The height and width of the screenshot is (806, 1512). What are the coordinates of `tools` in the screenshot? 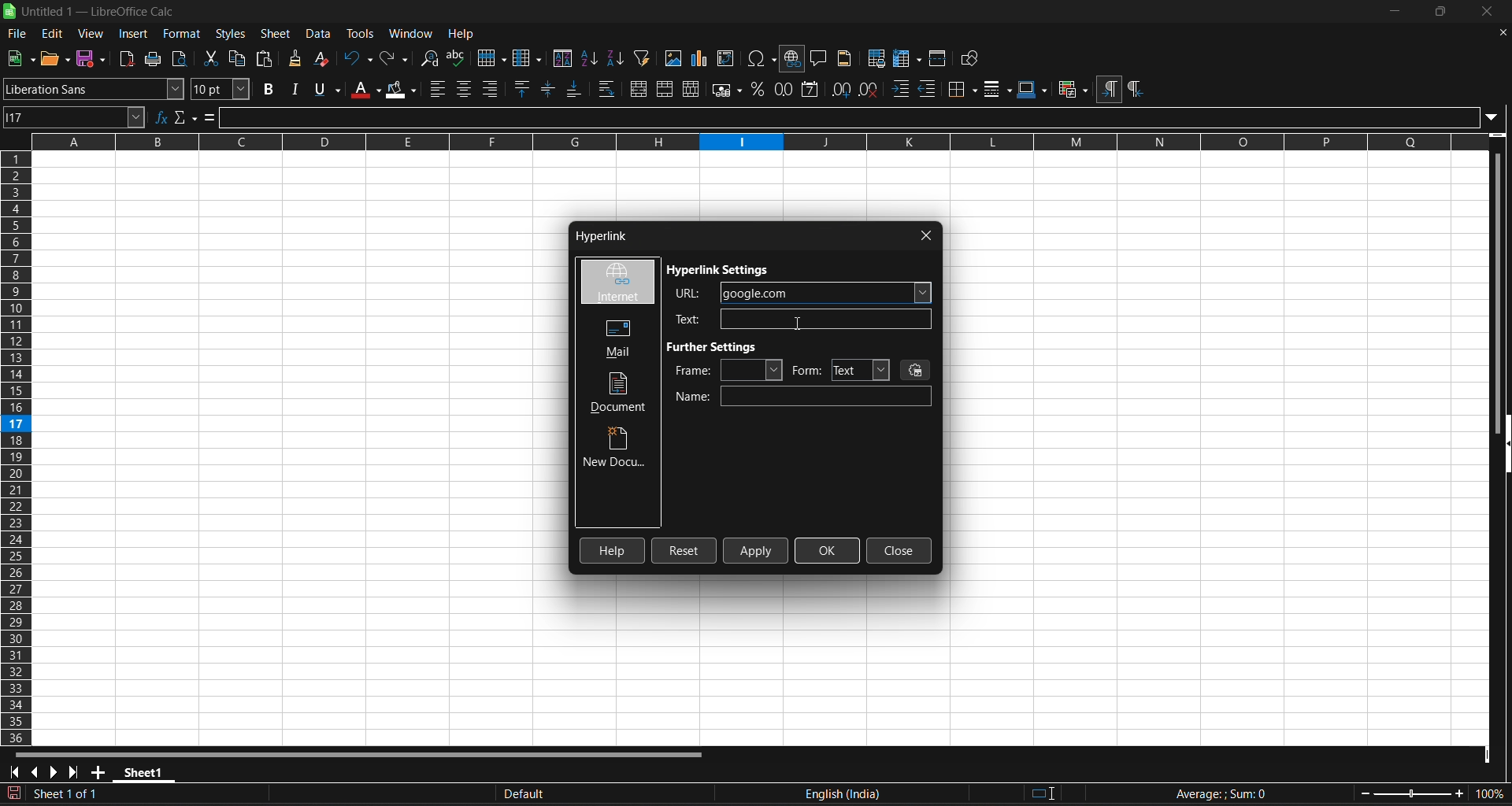 It's located at (359, 33).